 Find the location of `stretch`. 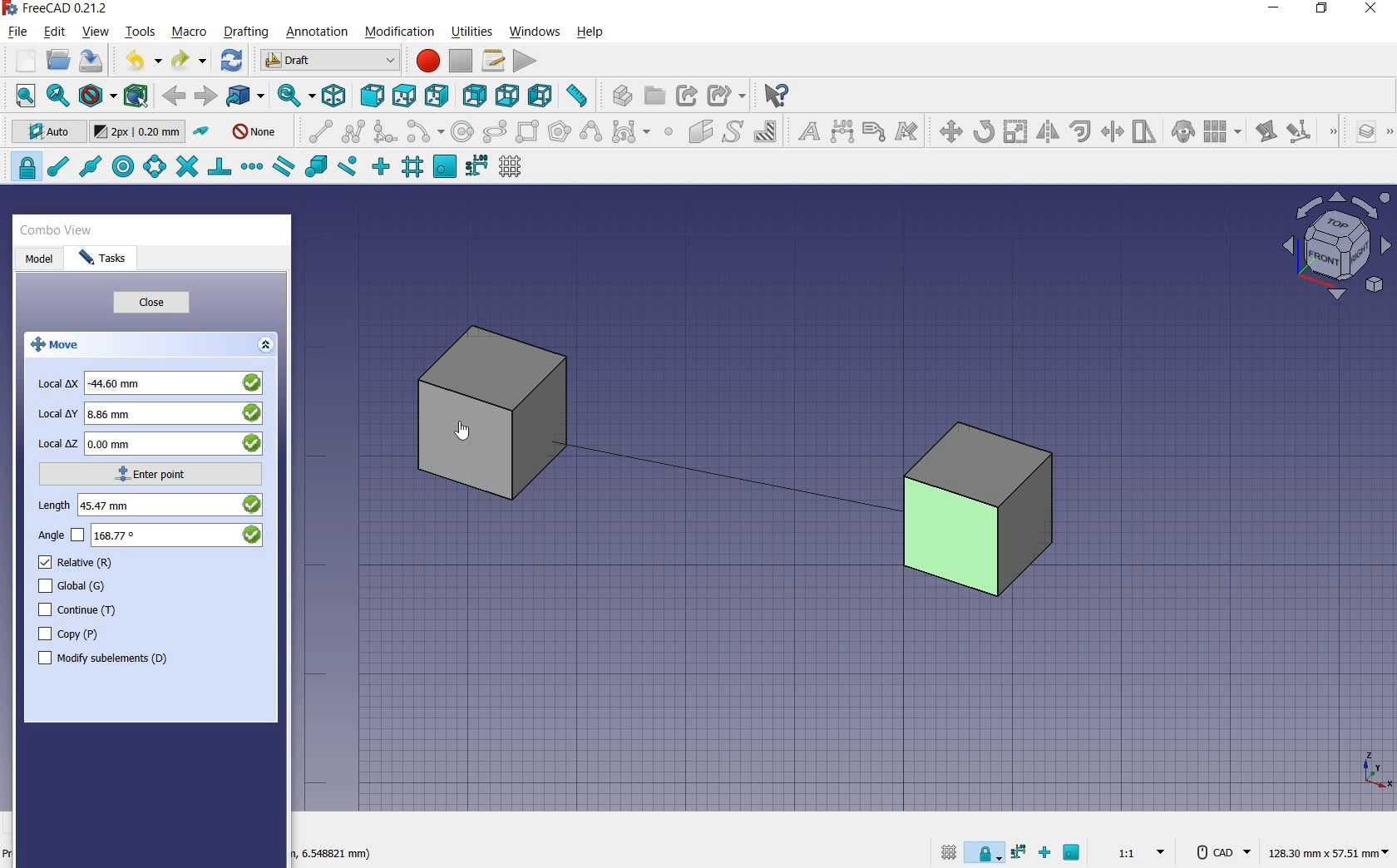

stretch is located at coordinates (1144, 132).